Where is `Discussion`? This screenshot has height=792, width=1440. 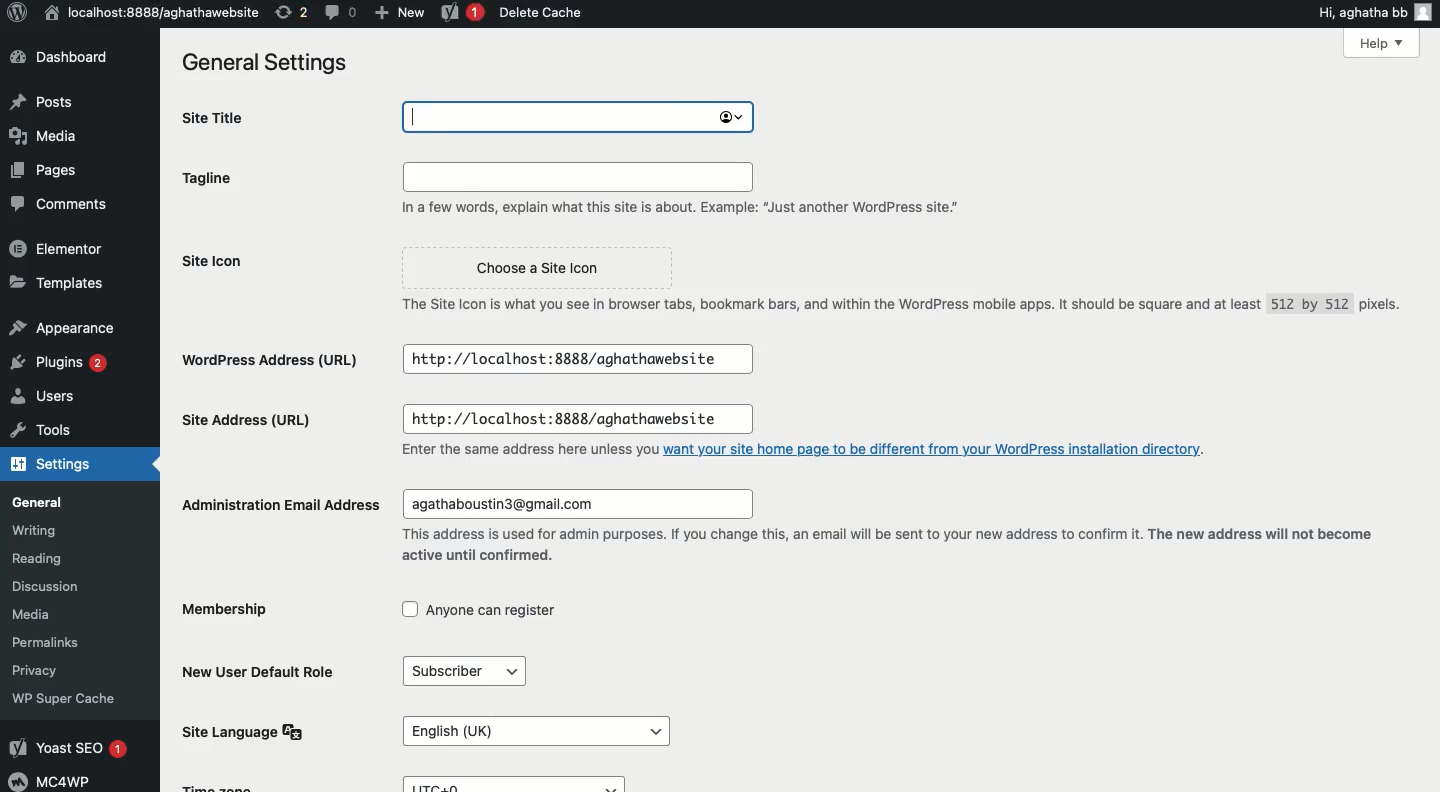
Discussion is located at coordinates (47, 584).